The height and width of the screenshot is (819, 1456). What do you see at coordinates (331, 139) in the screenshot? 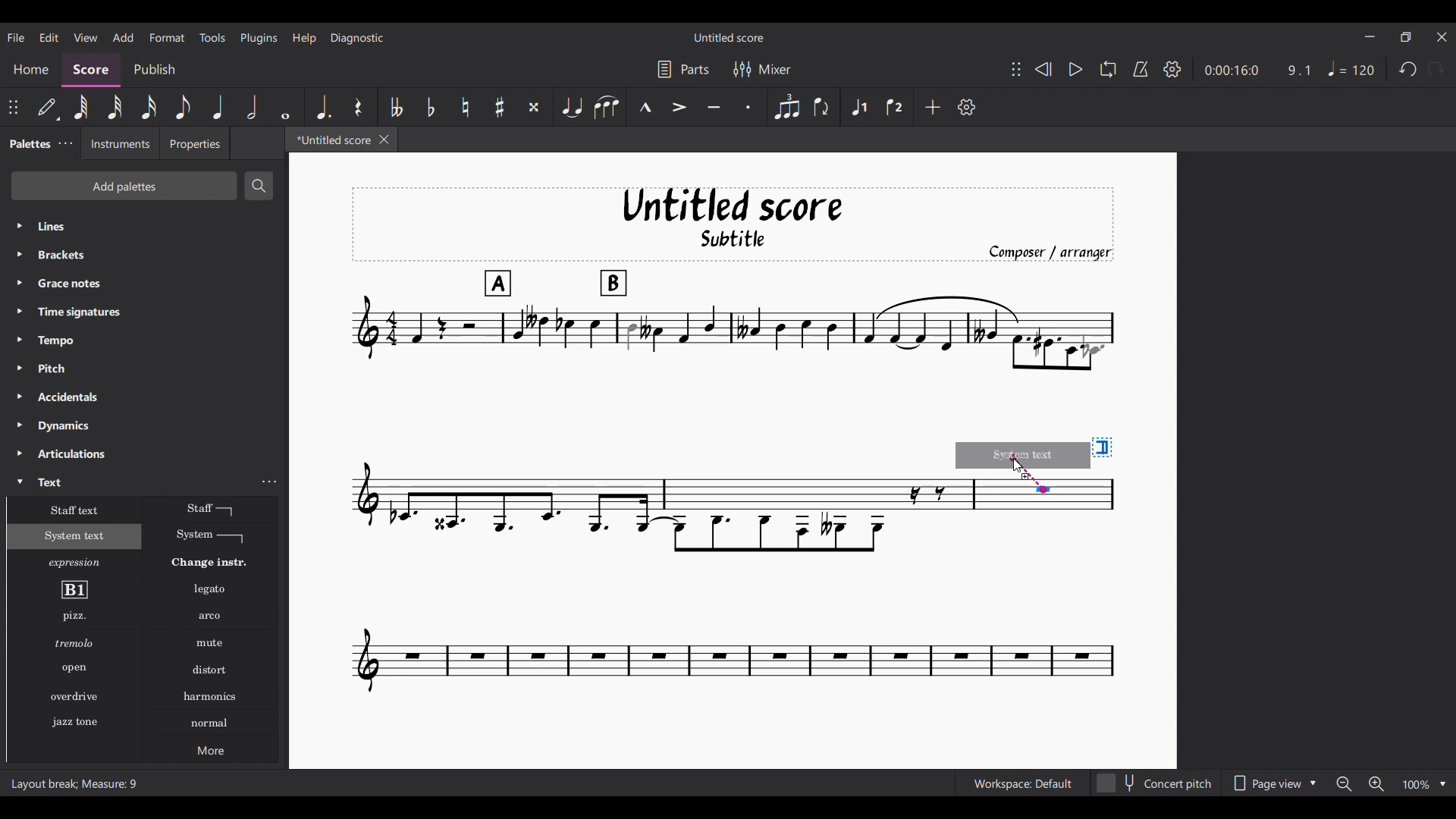
I see `*Untitled score, current tab` at bounding box center [331, 139].